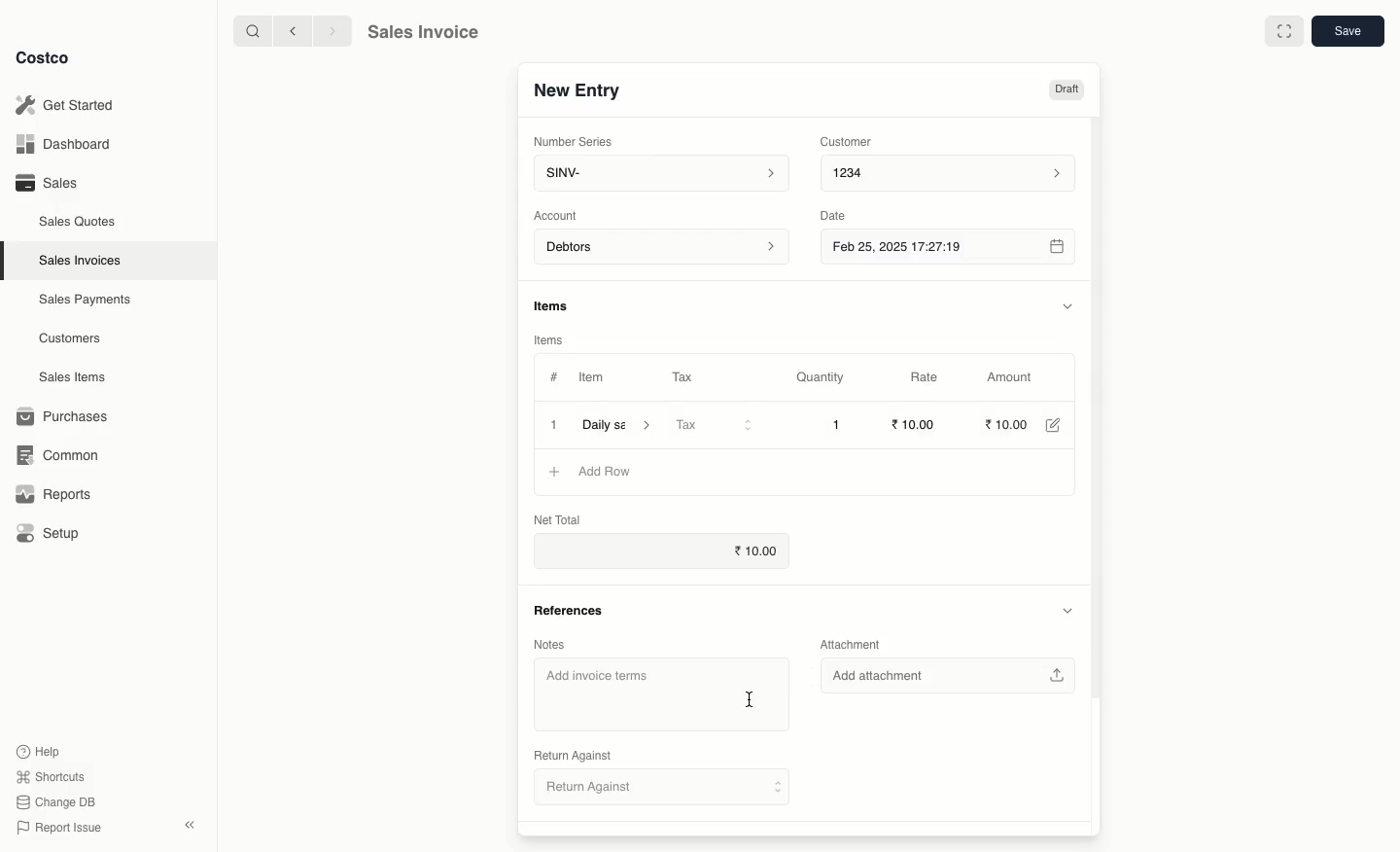 The image size is (1400, 852). I want to click on 10.00, so click(916, 424).